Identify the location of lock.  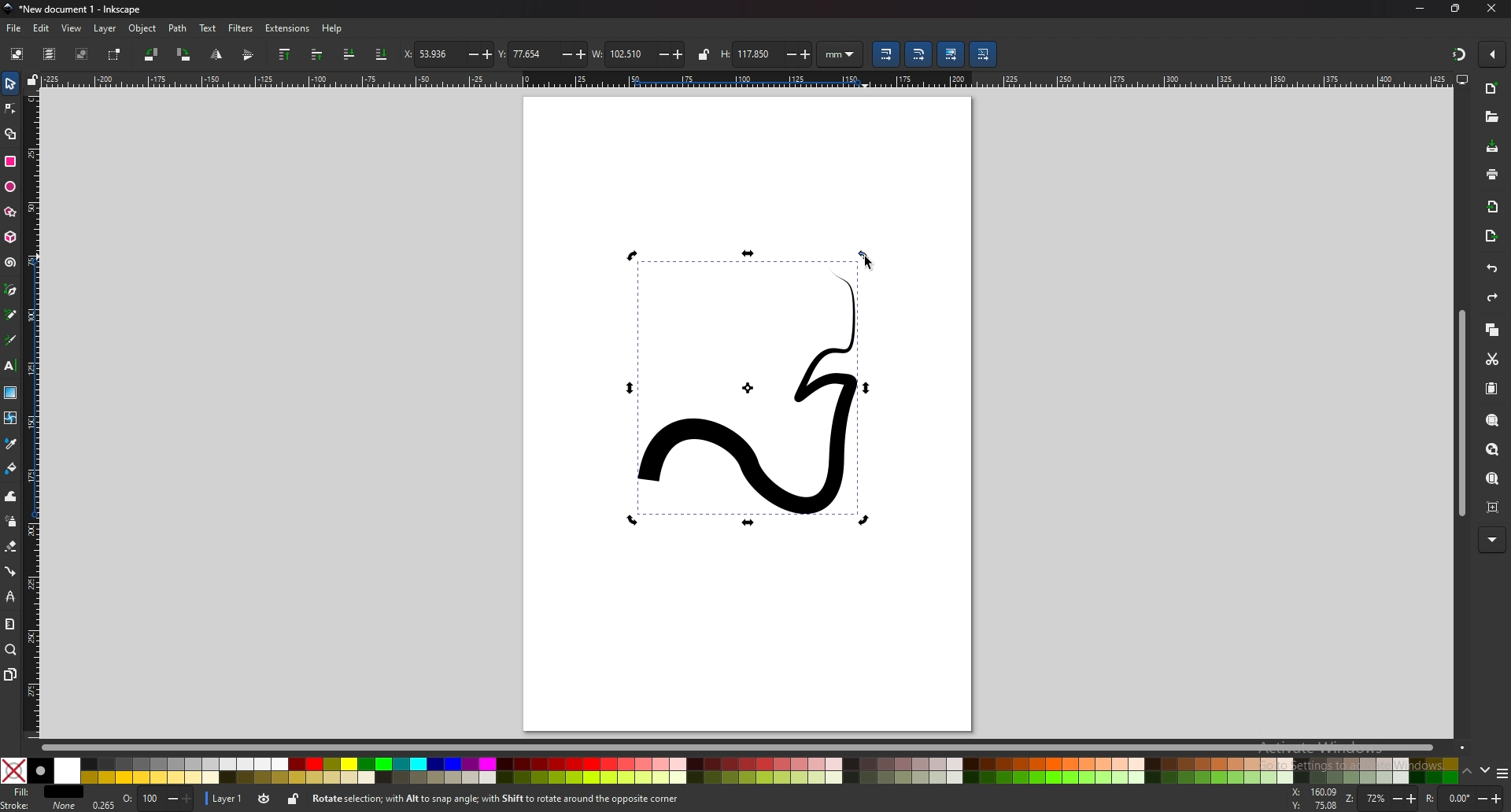
(293, 799).